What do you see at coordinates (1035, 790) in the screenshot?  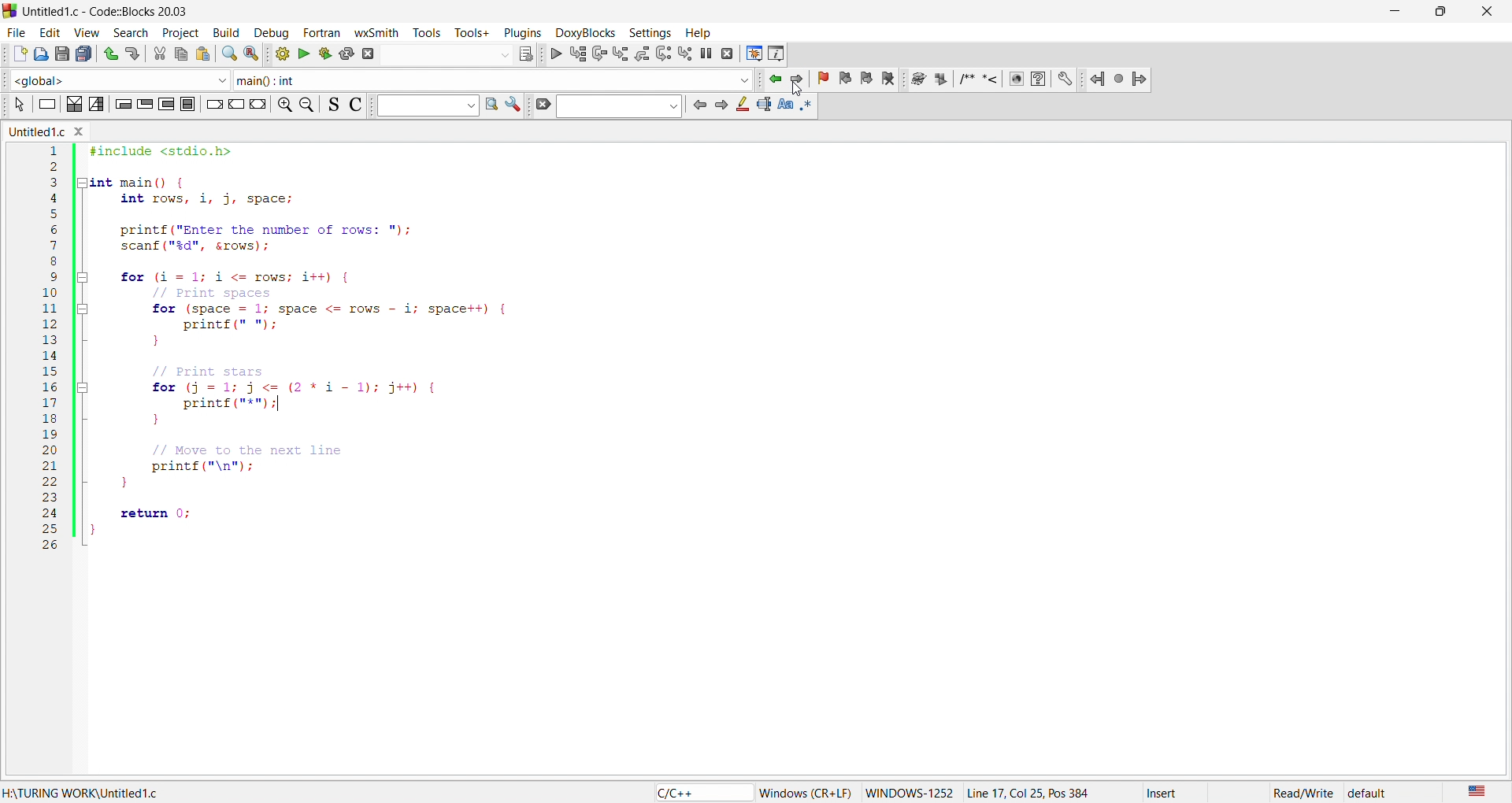 I see `Line 17, Col 25, Pos 384` at bounding box center [1035, 790].